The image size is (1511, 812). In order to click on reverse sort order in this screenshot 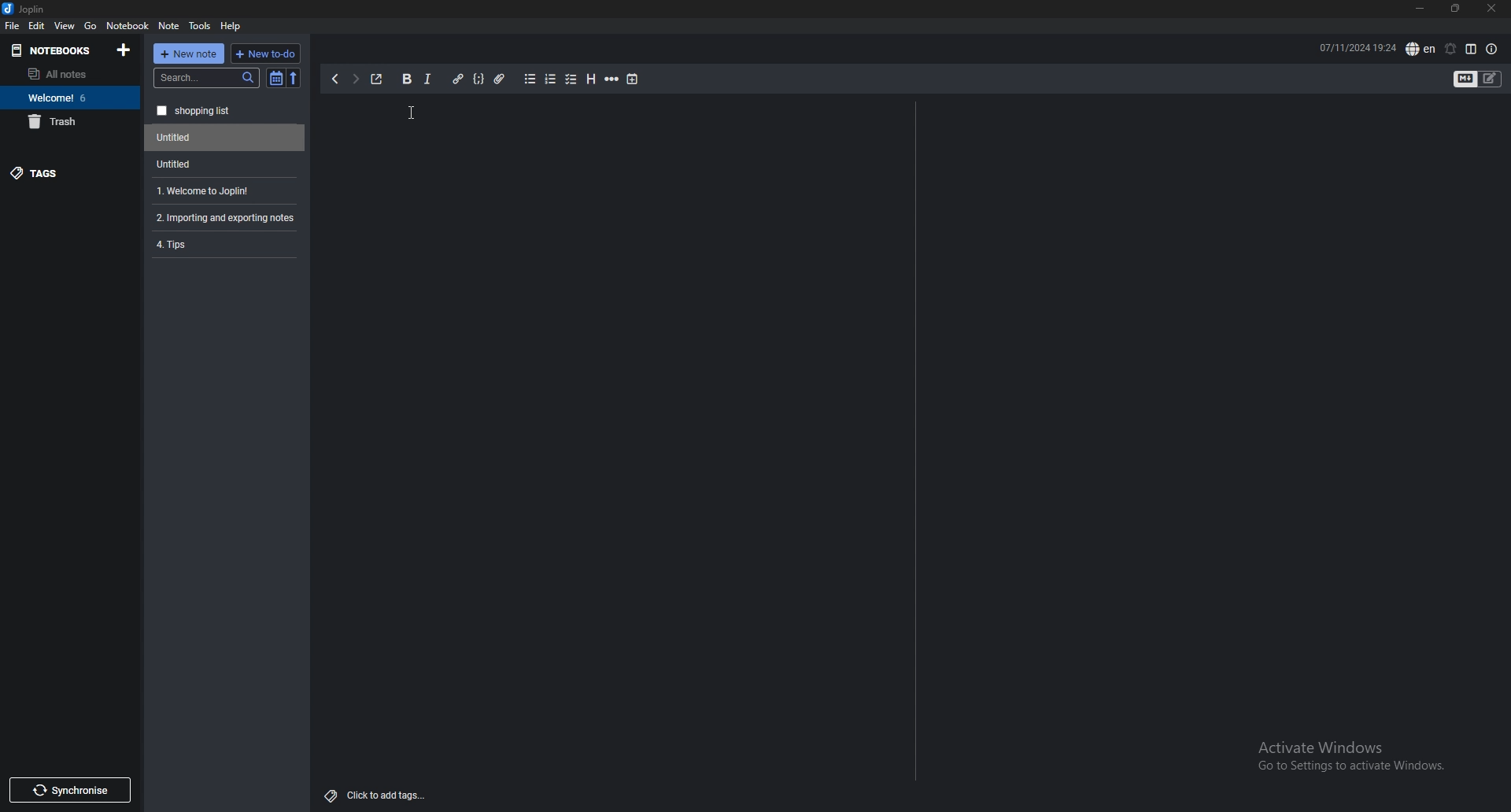, I will do `click(294, 79)`.